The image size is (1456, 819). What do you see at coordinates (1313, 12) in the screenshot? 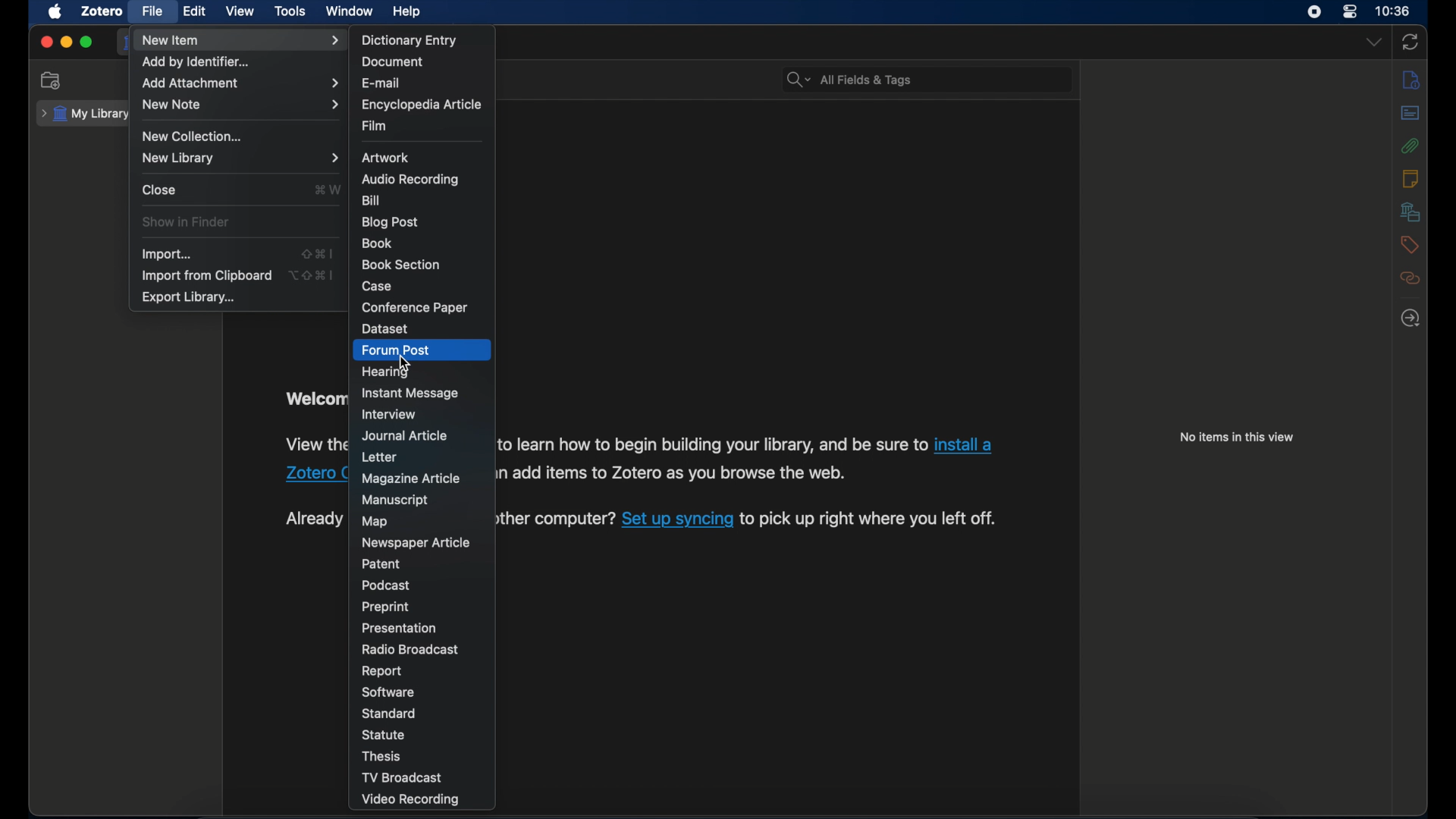
I see `screen recorder` at bounding box center [1313, 12].